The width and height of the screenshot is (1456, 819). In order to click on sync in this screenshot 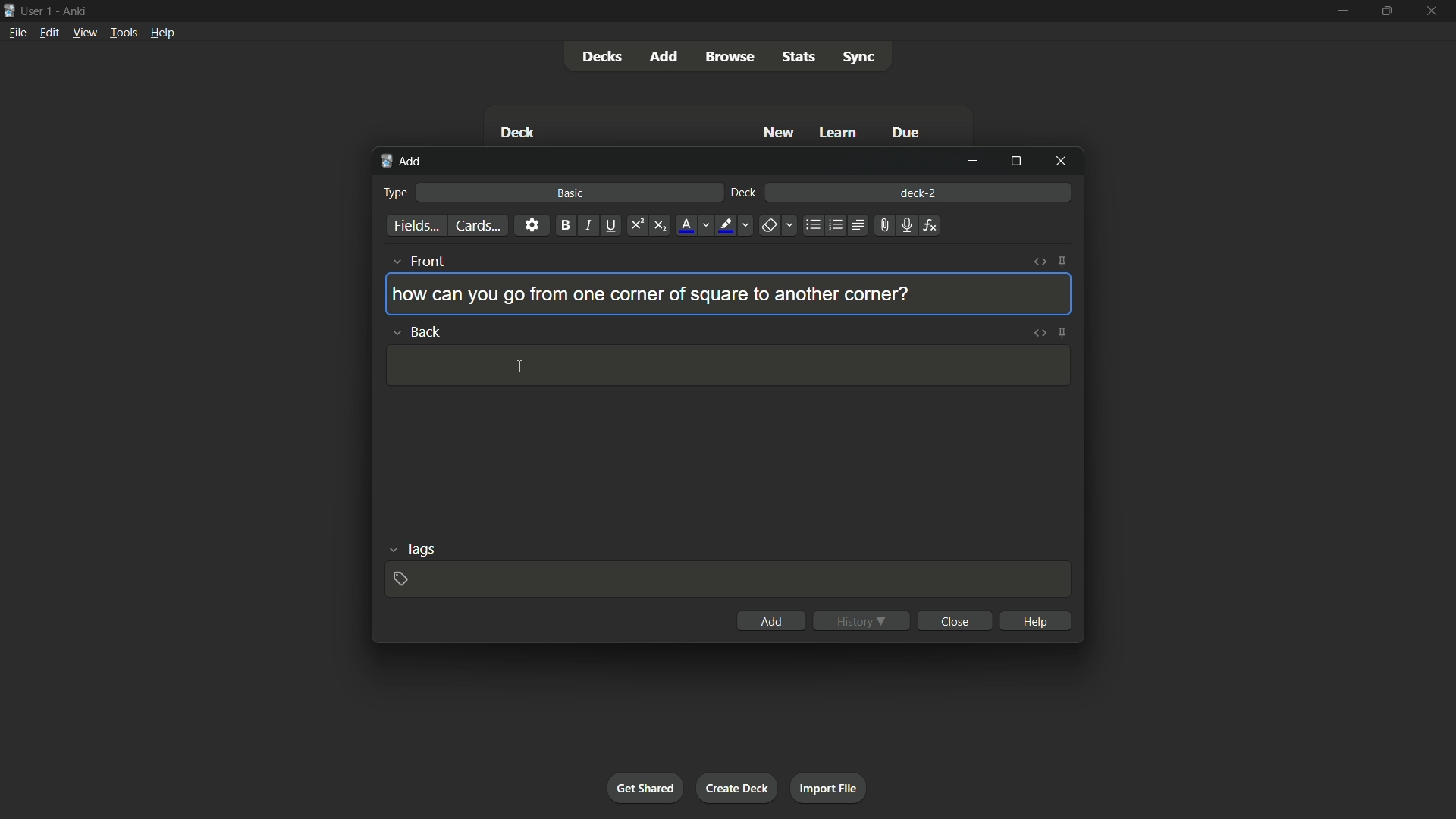, I will do `click(859, 58)`.